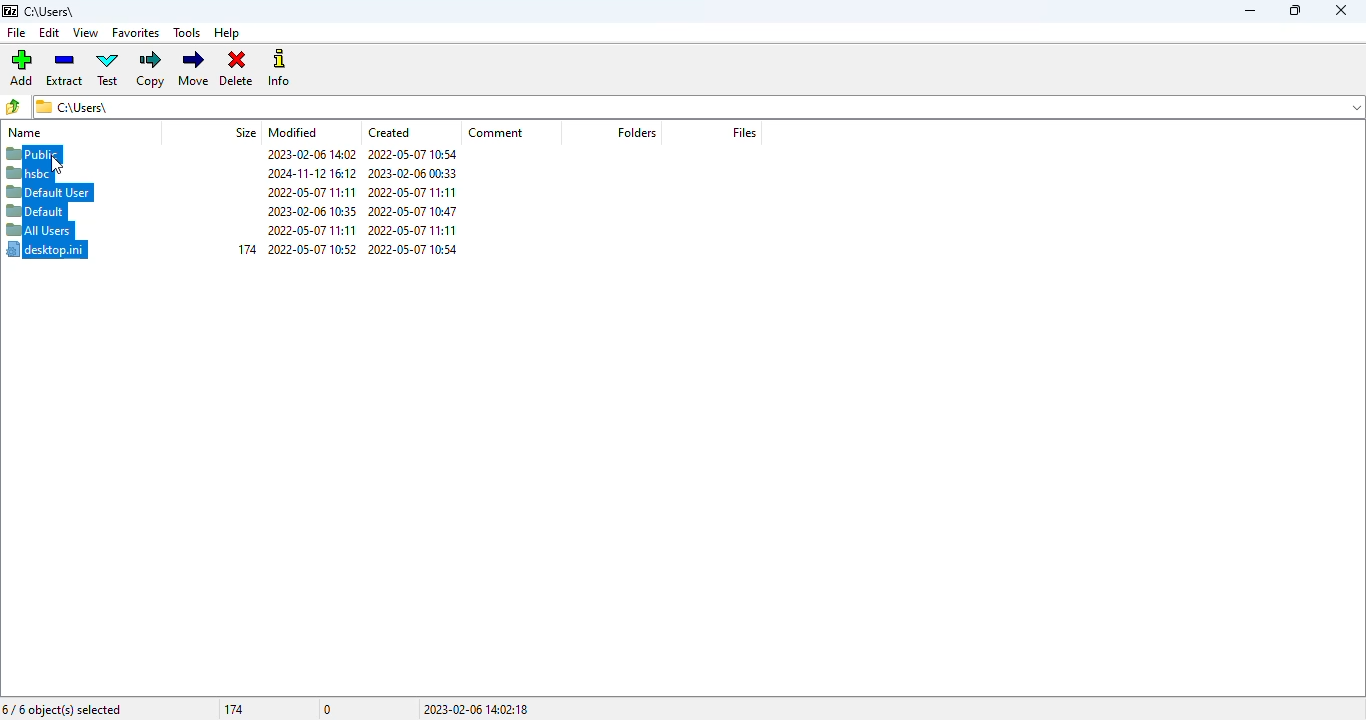 The image size is (1366, 720). What do you see at coordinates (244, 250) in the screenshot?
I see `174` at bounding box center [244, 250].